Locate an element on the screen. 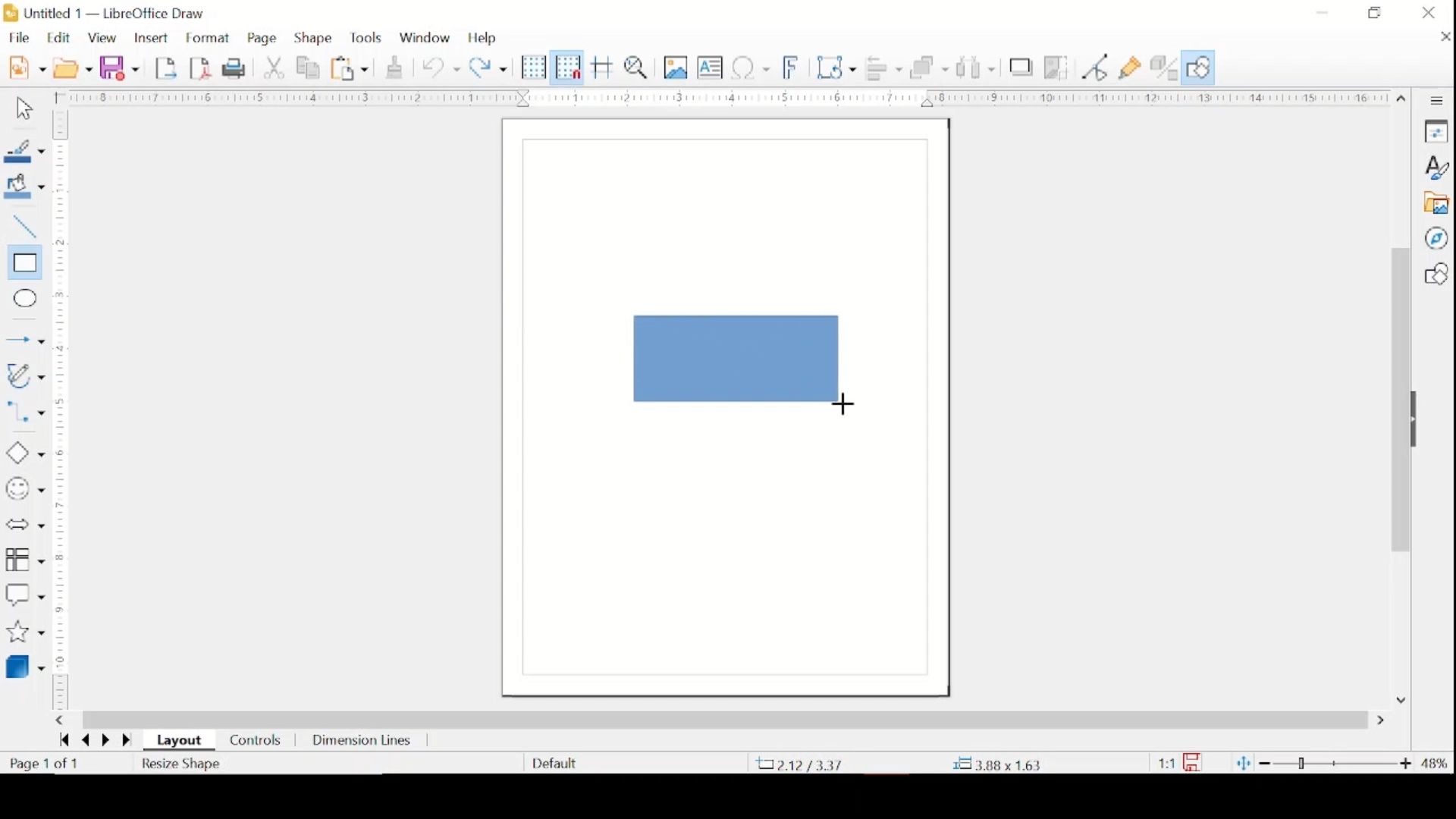  toggle point edit mode is located at coordinates (1096, 67).